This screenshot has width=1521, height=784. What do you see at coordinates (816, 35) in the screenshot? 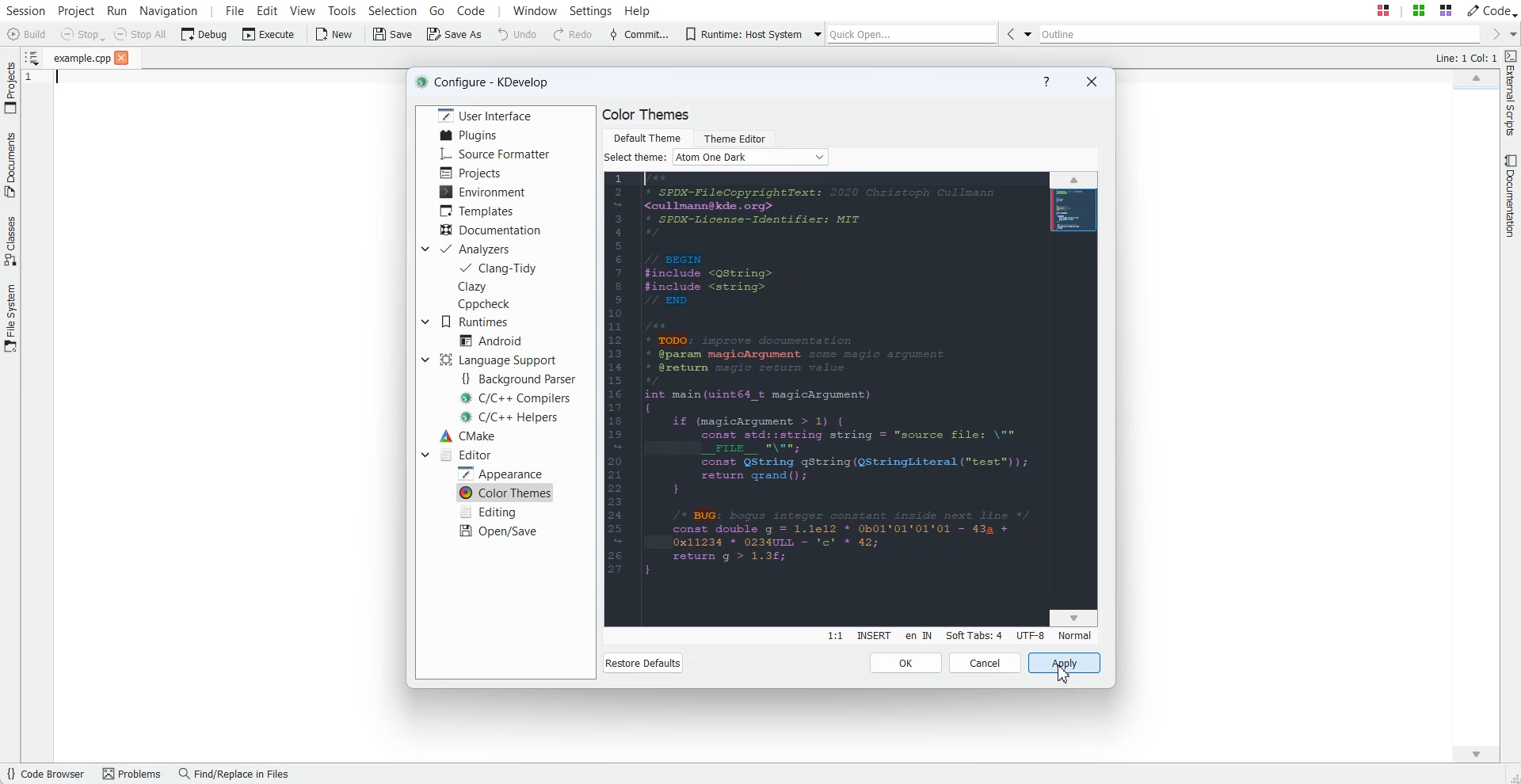
I see `Drop down box` at bounding box center [816, 35].